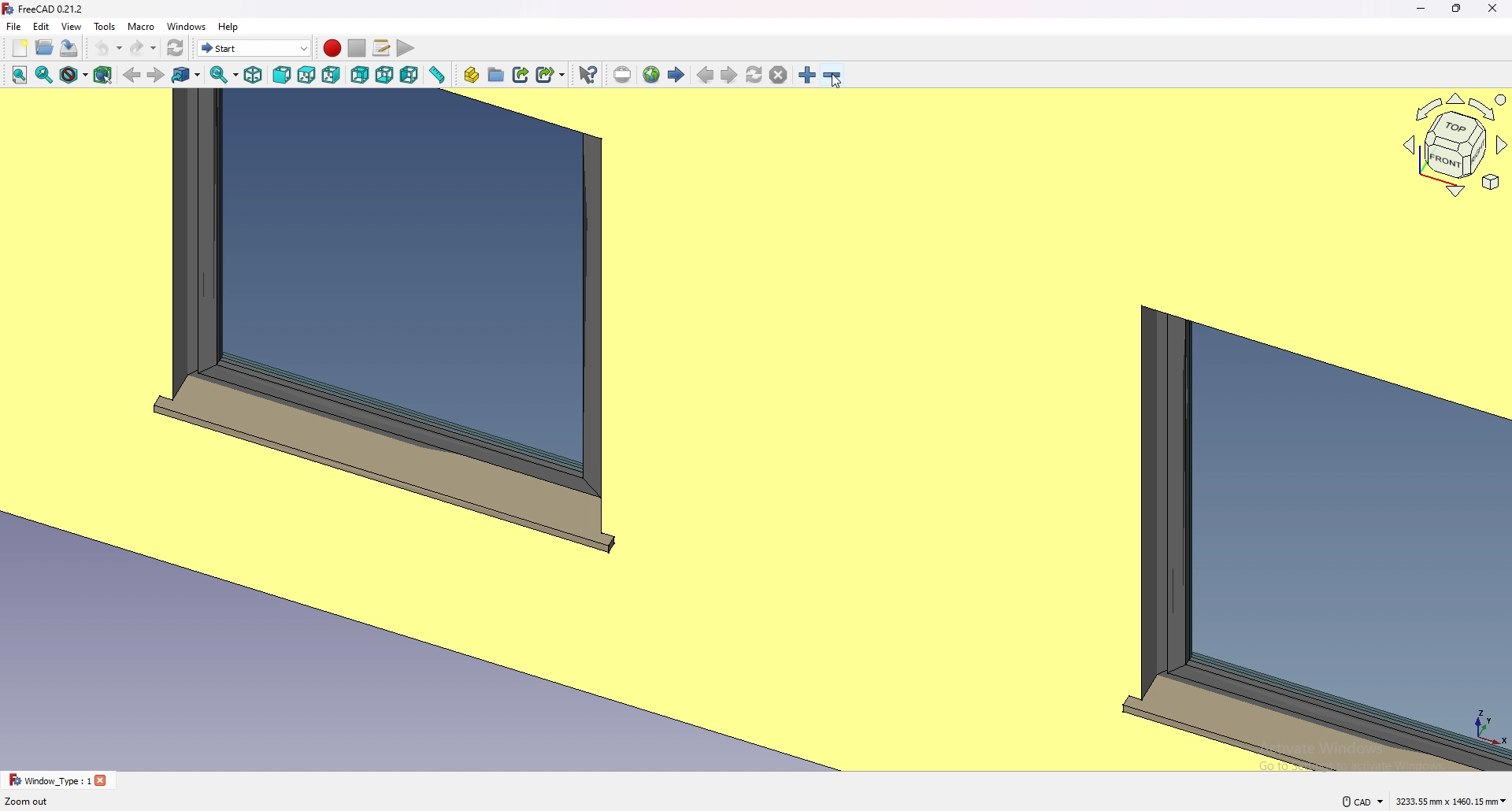 This screenshot has height=811, width=1512. What do you see at coordinates (1493, 9) in the screenshot?
I see `close` at bounding box center [1493, 9].